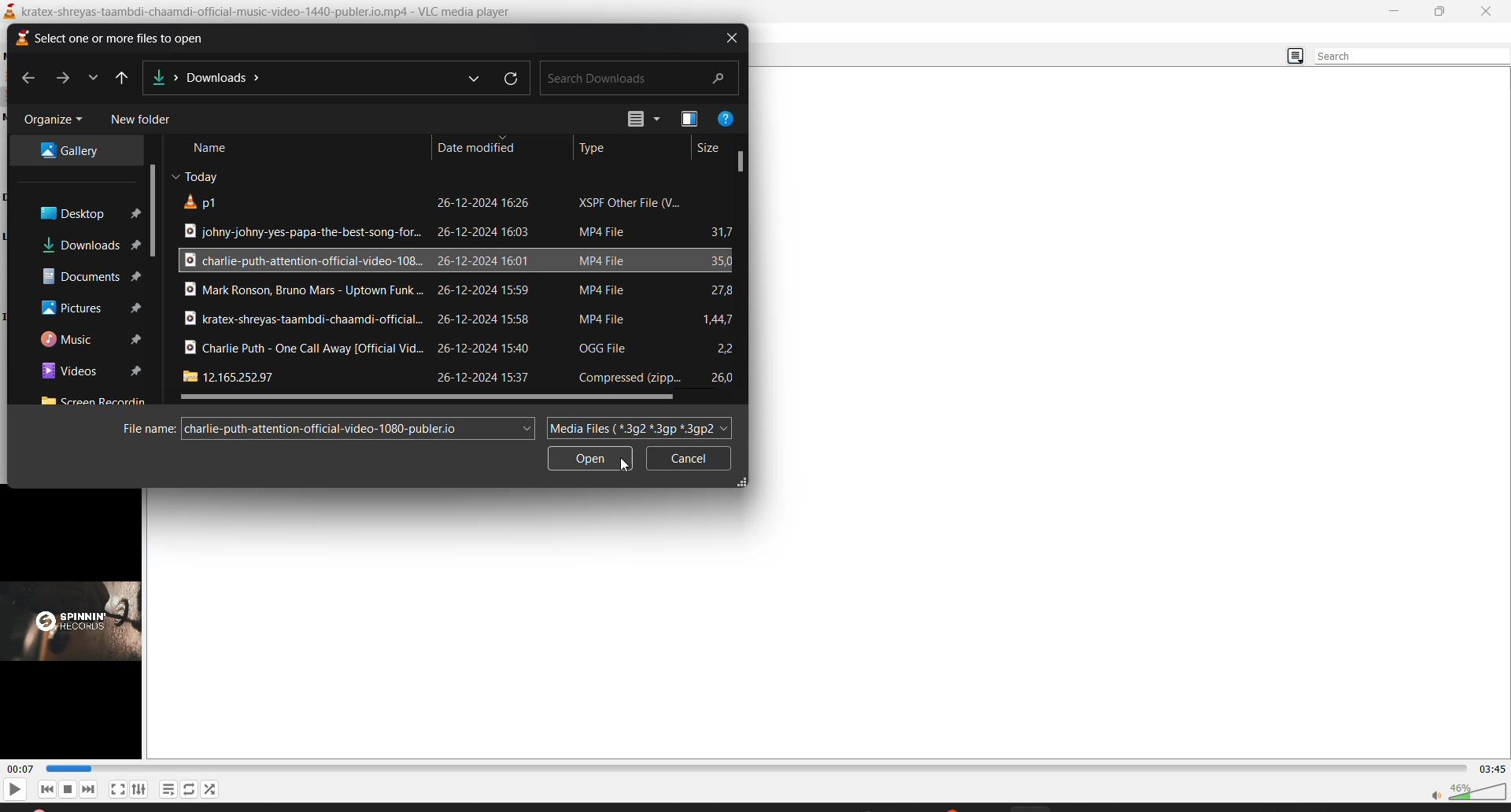 Image resolution: width=1511 pixels, height=812 pixels. What do you see at coordinates (482, 148) in the screenshot?
I see `date modified` at bounding box center [482, 148].